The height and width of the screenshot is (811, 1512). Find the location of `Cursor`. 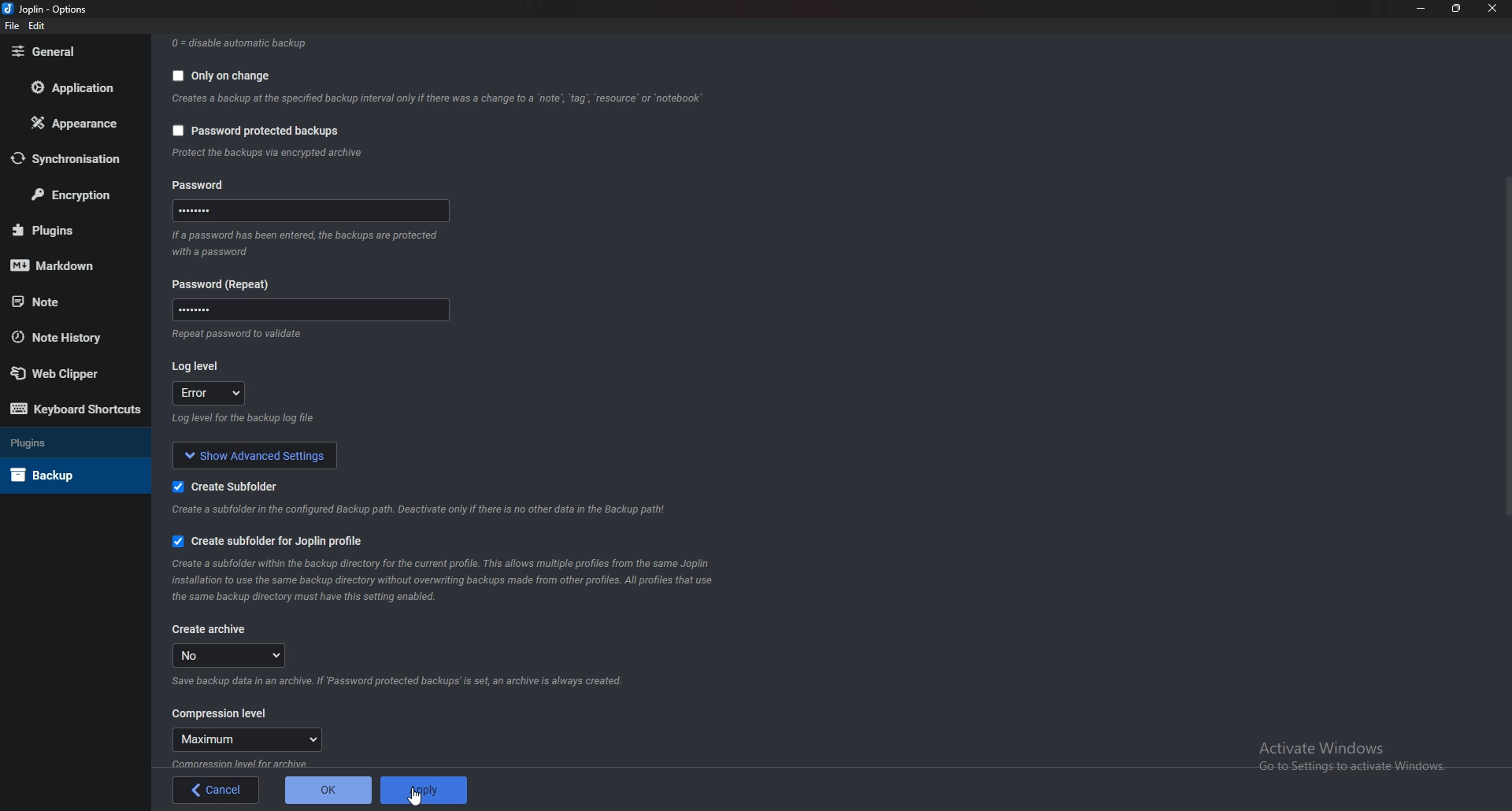

Cursor is located at coordinates (419, 801).